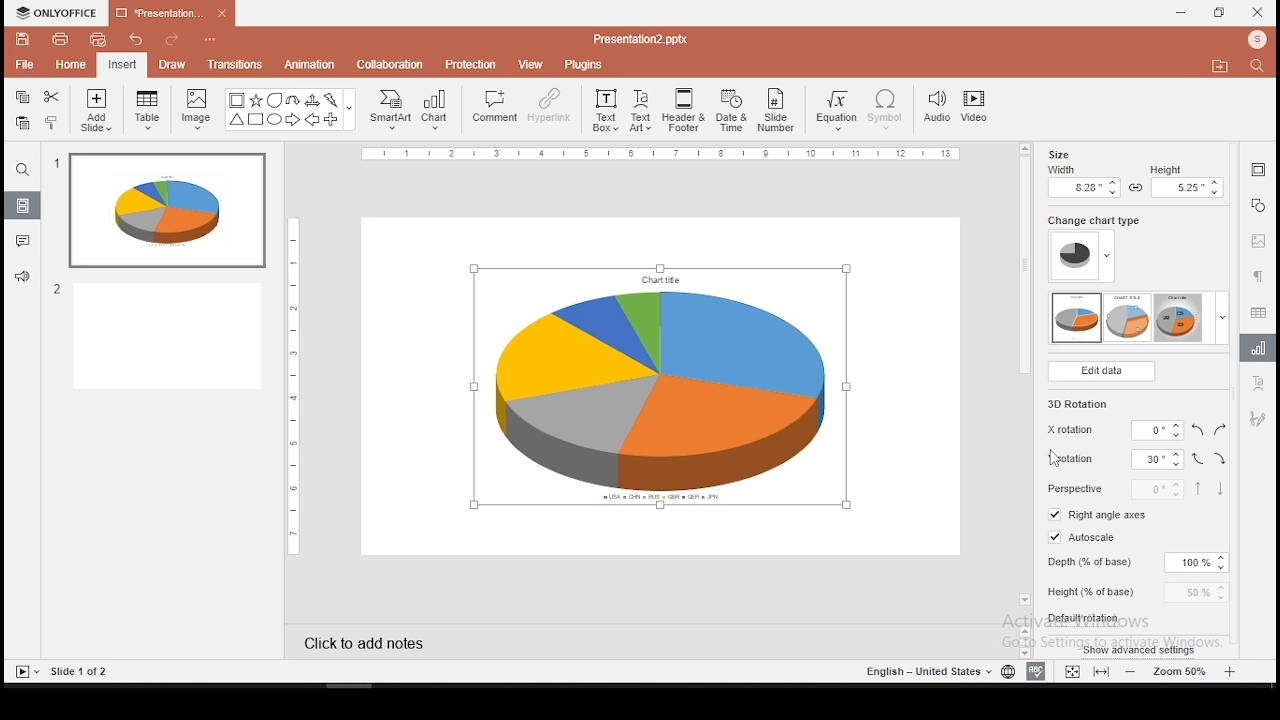  What do you see at coordinates (1256, 169) in the screenshot?
I see `slide settings` at bounding box center [1256, 169].